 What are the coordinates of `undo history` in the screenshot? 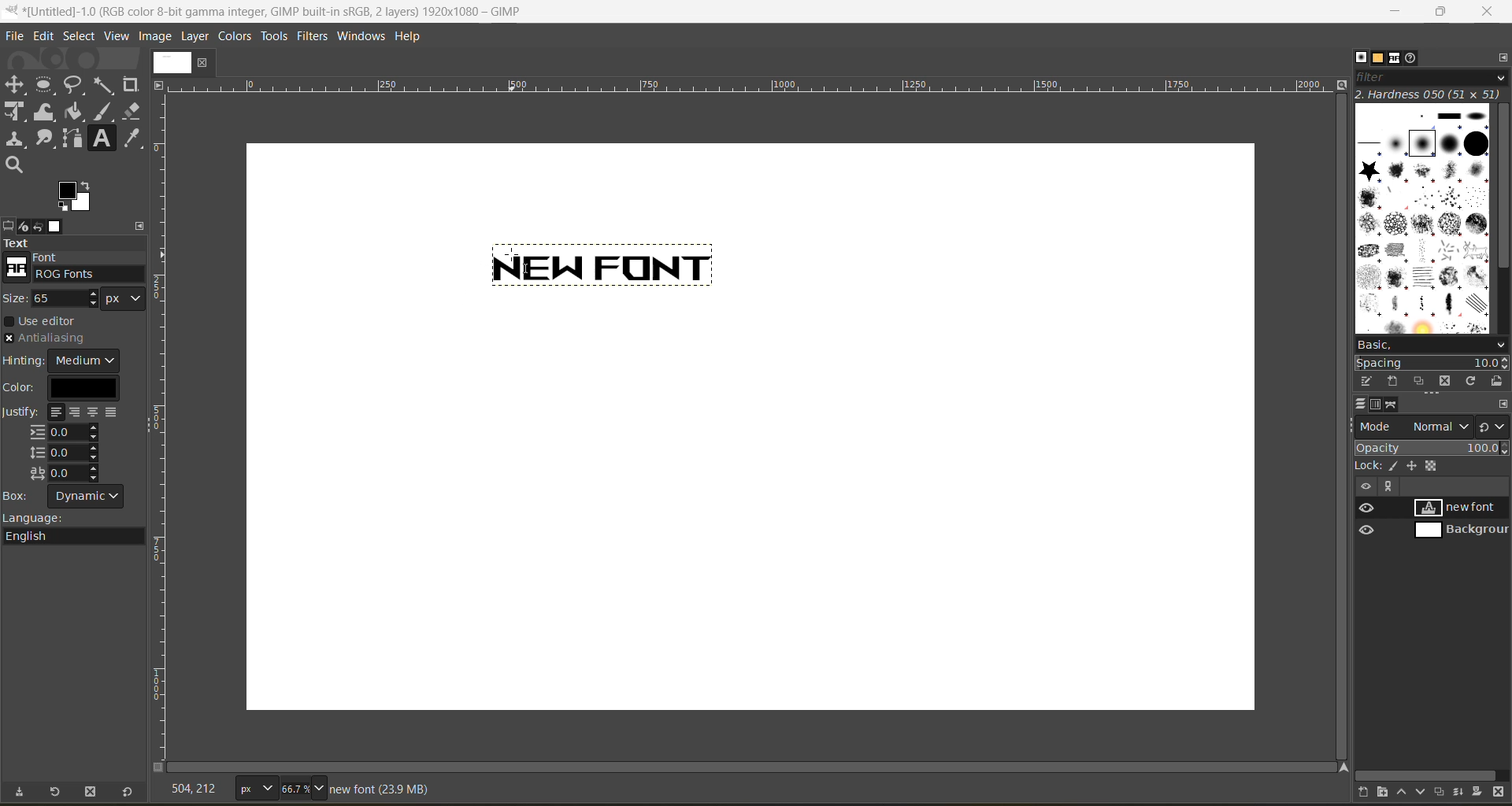 It's located at (36, 224).